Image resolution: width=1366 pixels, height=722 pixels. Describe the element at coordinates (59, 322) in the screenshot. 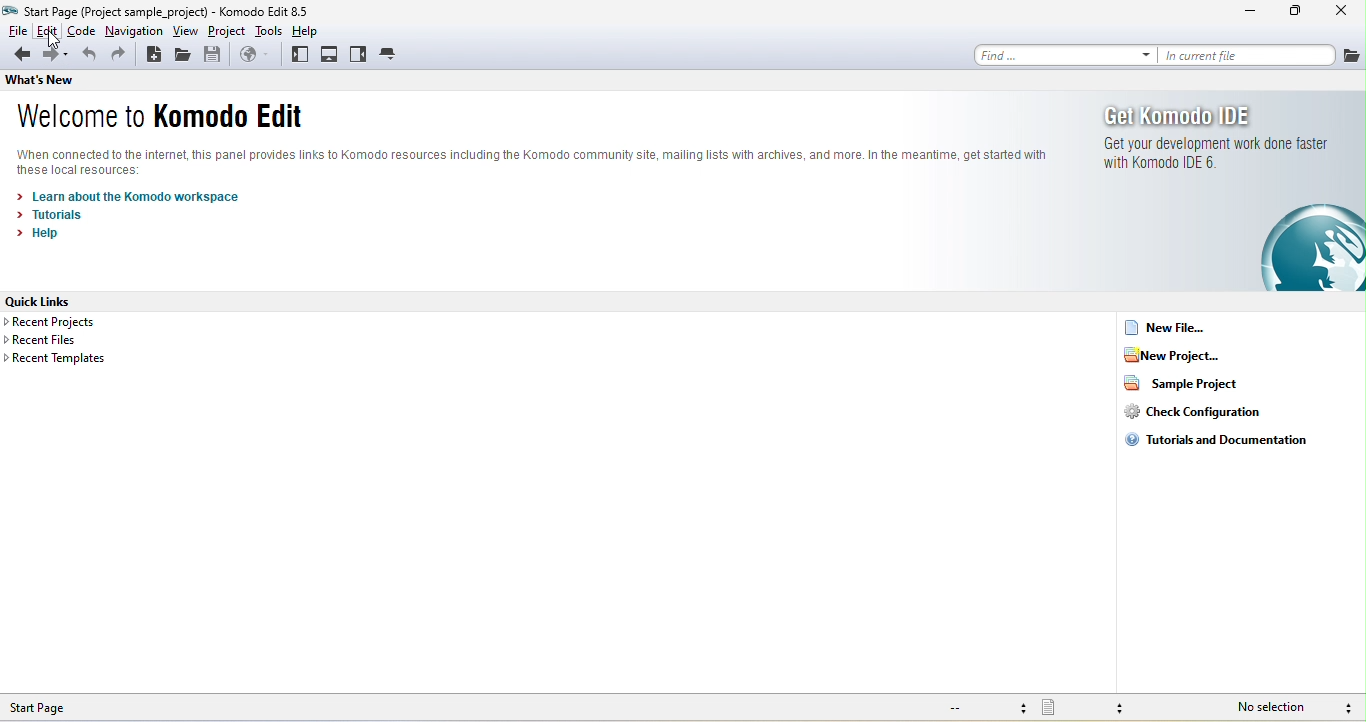

I see `recent projects` at that location.